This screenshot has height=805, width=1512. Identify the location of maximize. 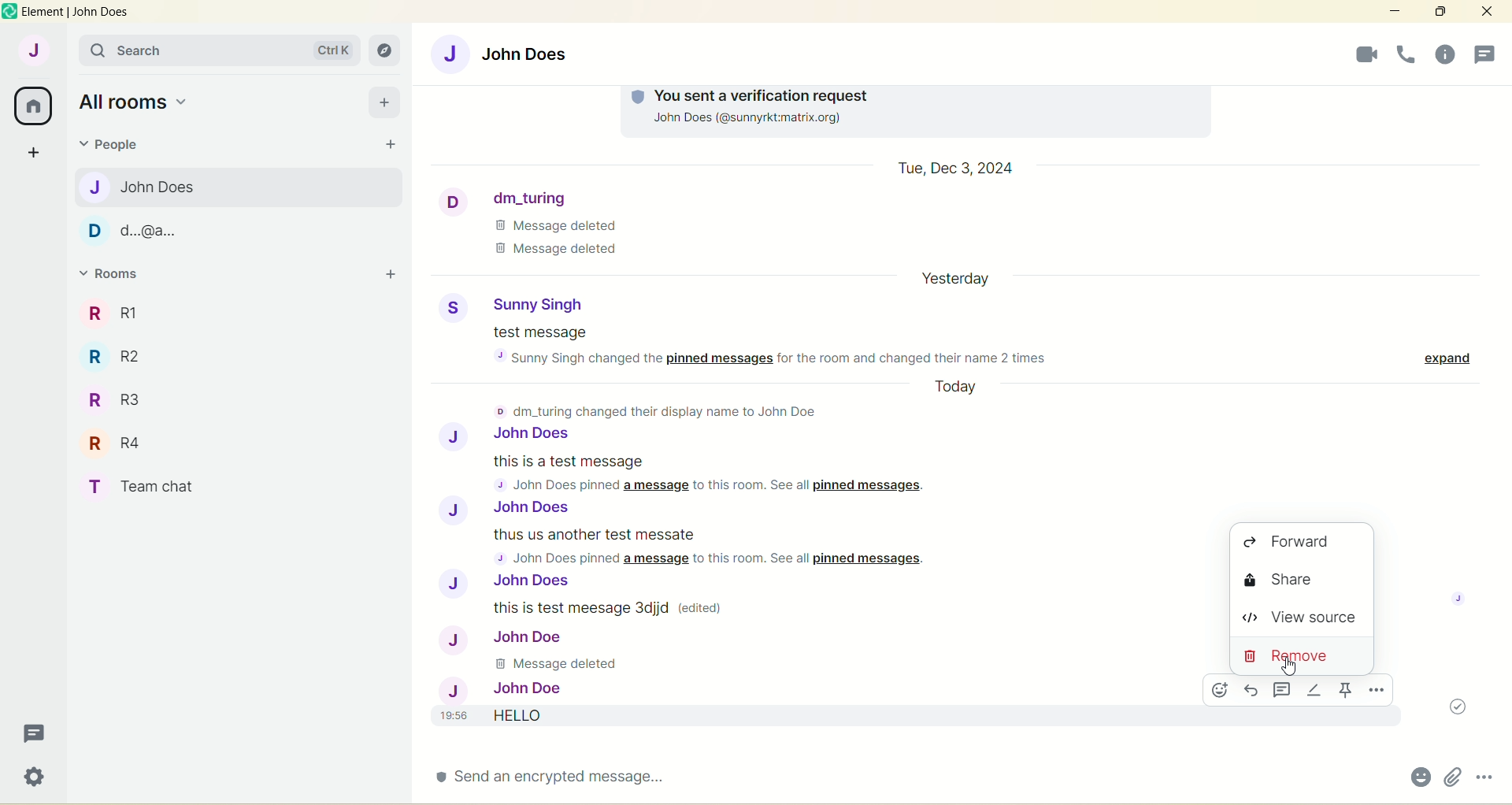
(1440, 12).